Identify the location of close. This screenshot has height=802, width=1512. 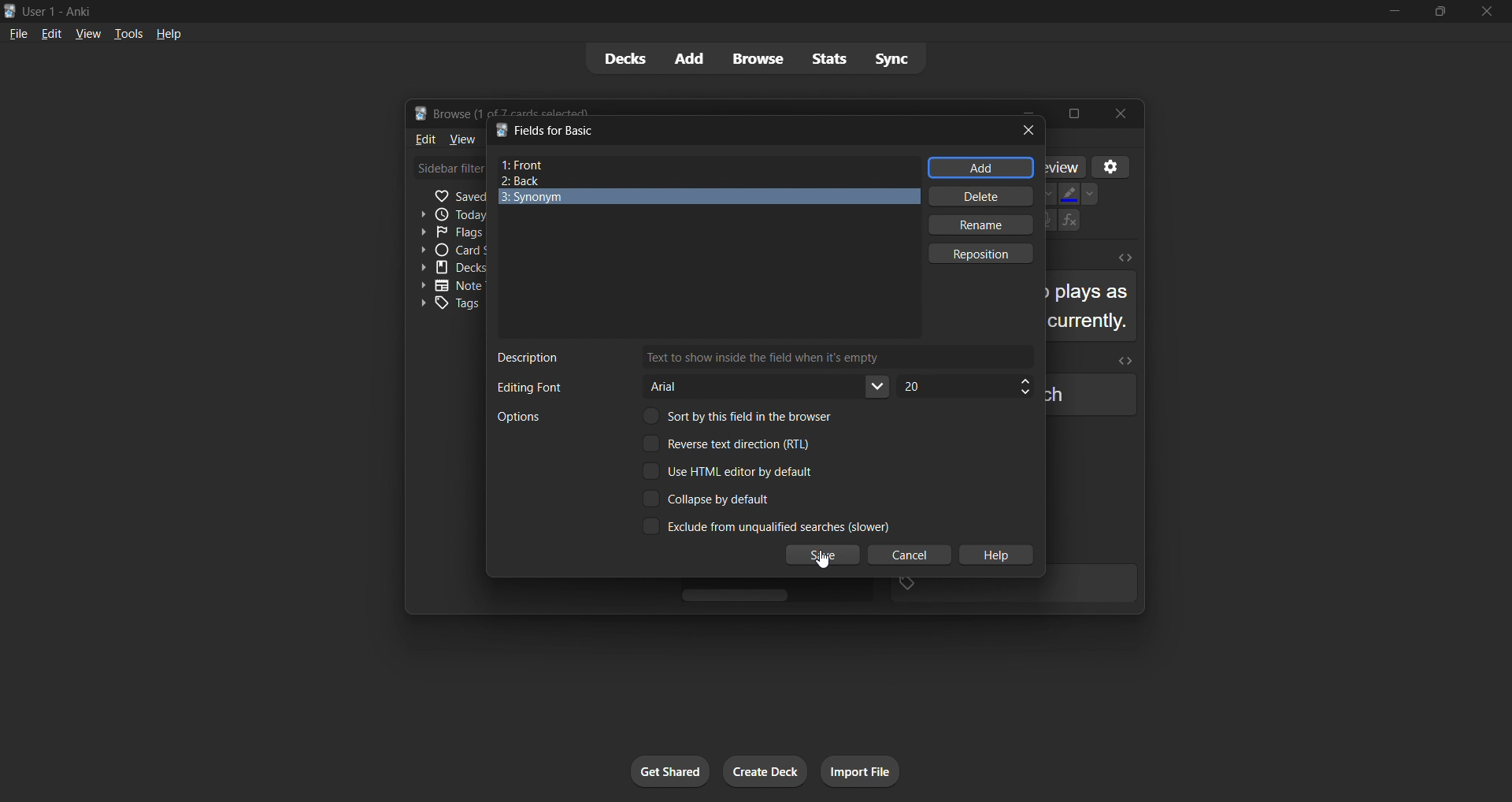
(1026, 130).